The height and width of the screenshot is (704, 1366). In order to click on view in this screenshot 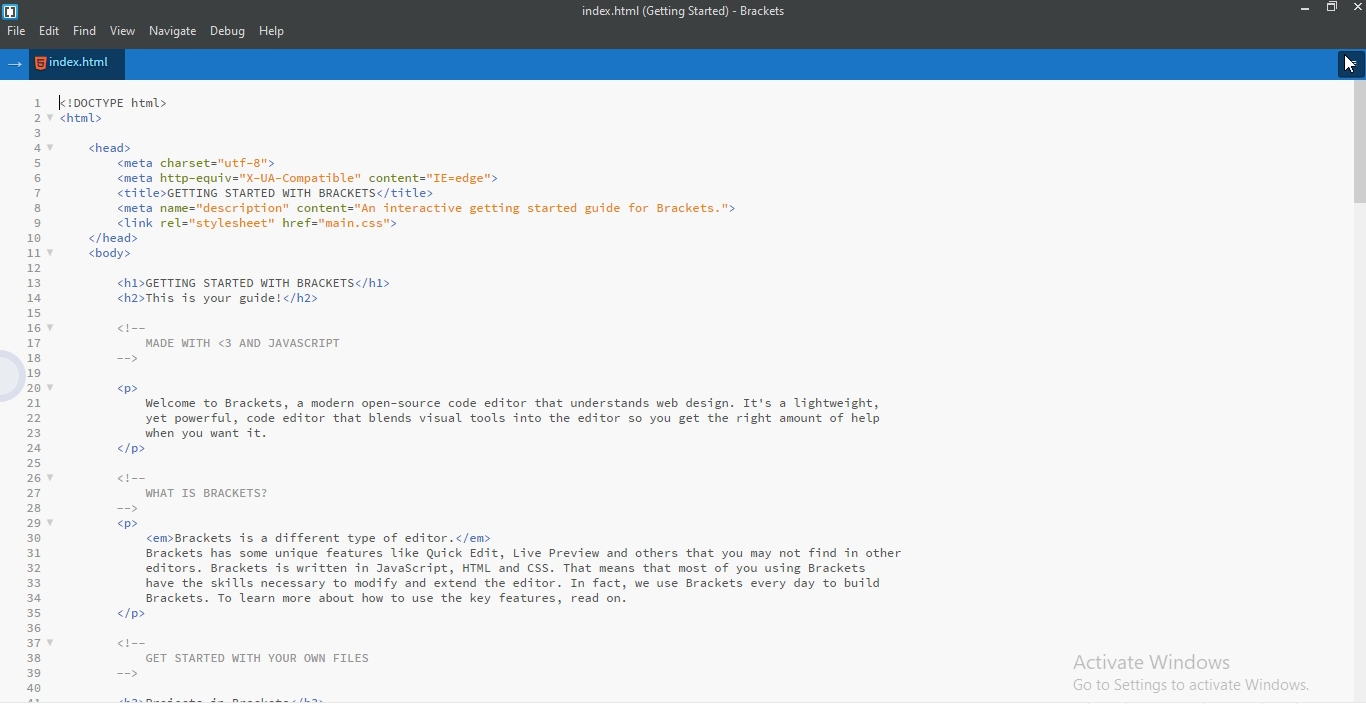, I will do `click(124, 31)`.